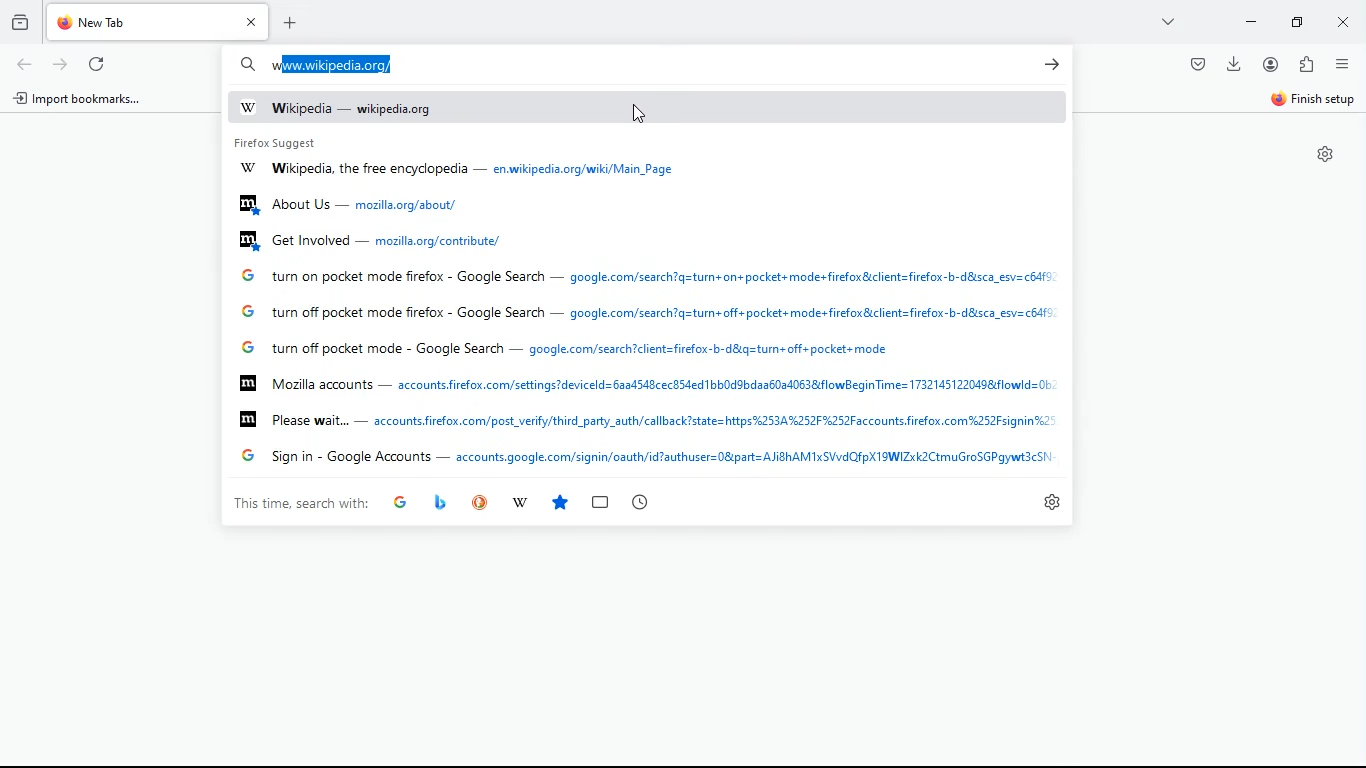 The image size is (1366, 768). I want to click on maximize, so click(1296, 22).